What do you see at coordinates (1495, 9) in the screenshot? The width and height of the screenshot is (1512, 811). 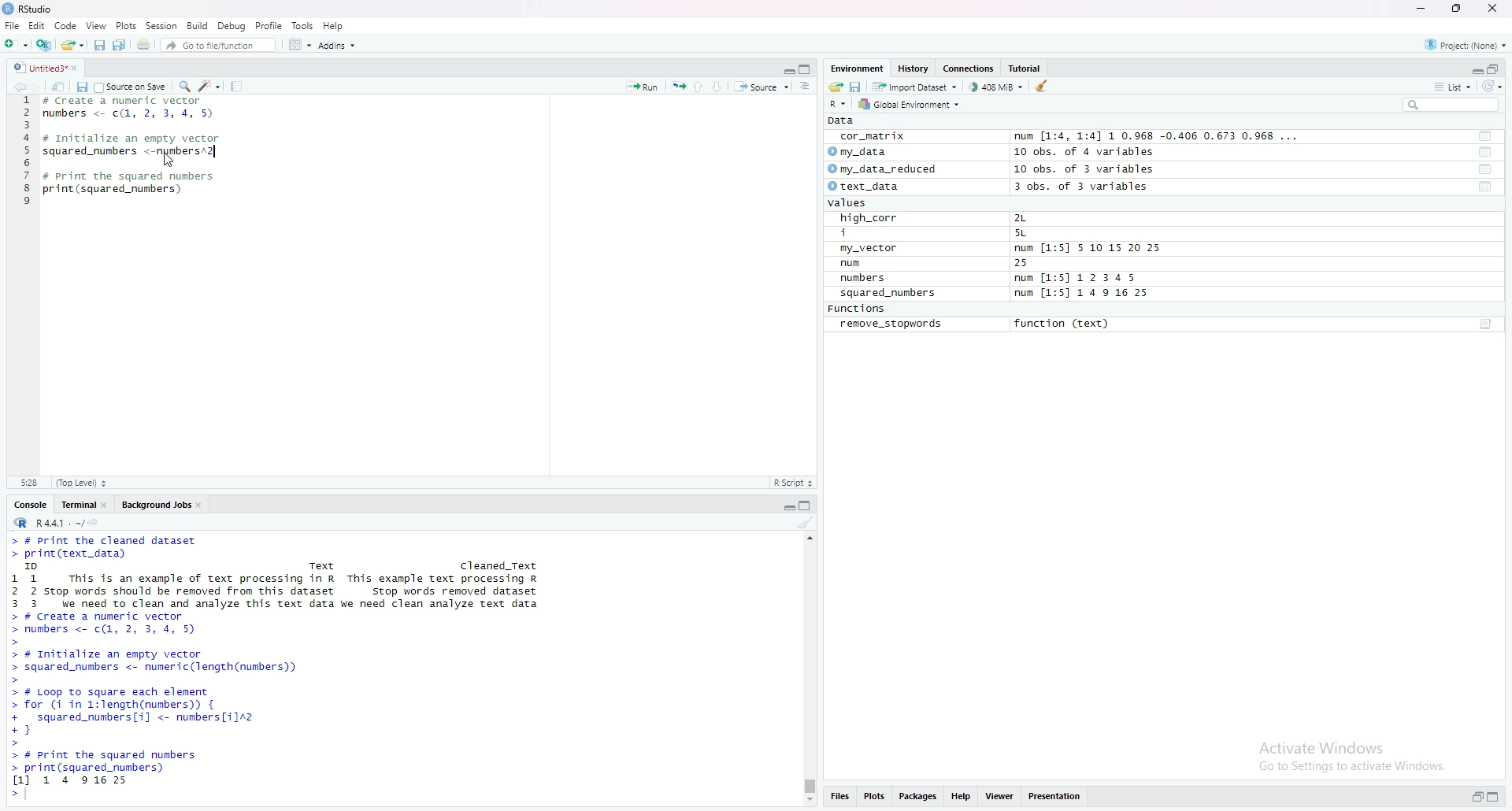 I see `close` at bounding box center [1495, 9].